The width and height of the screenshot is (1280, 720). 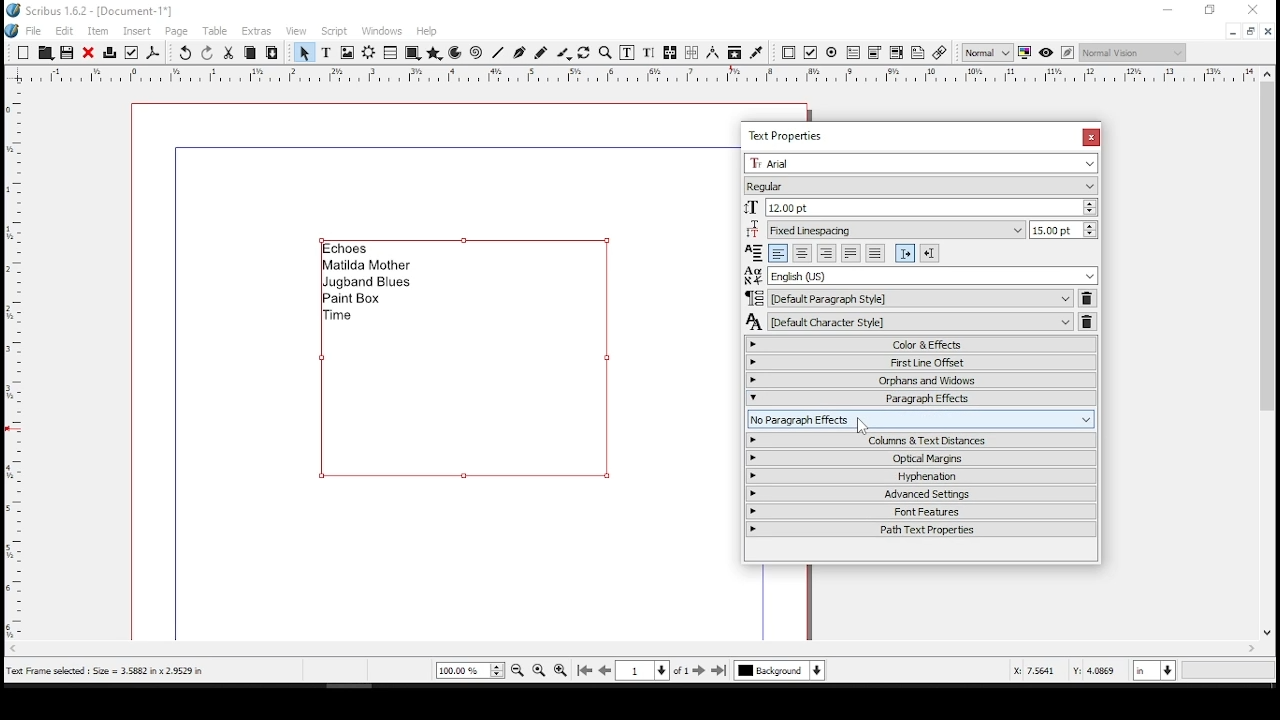 What do you see at coordinates (921, 476) in the screenshot?
I see `hyphenation` at bounding box center [921, 476].